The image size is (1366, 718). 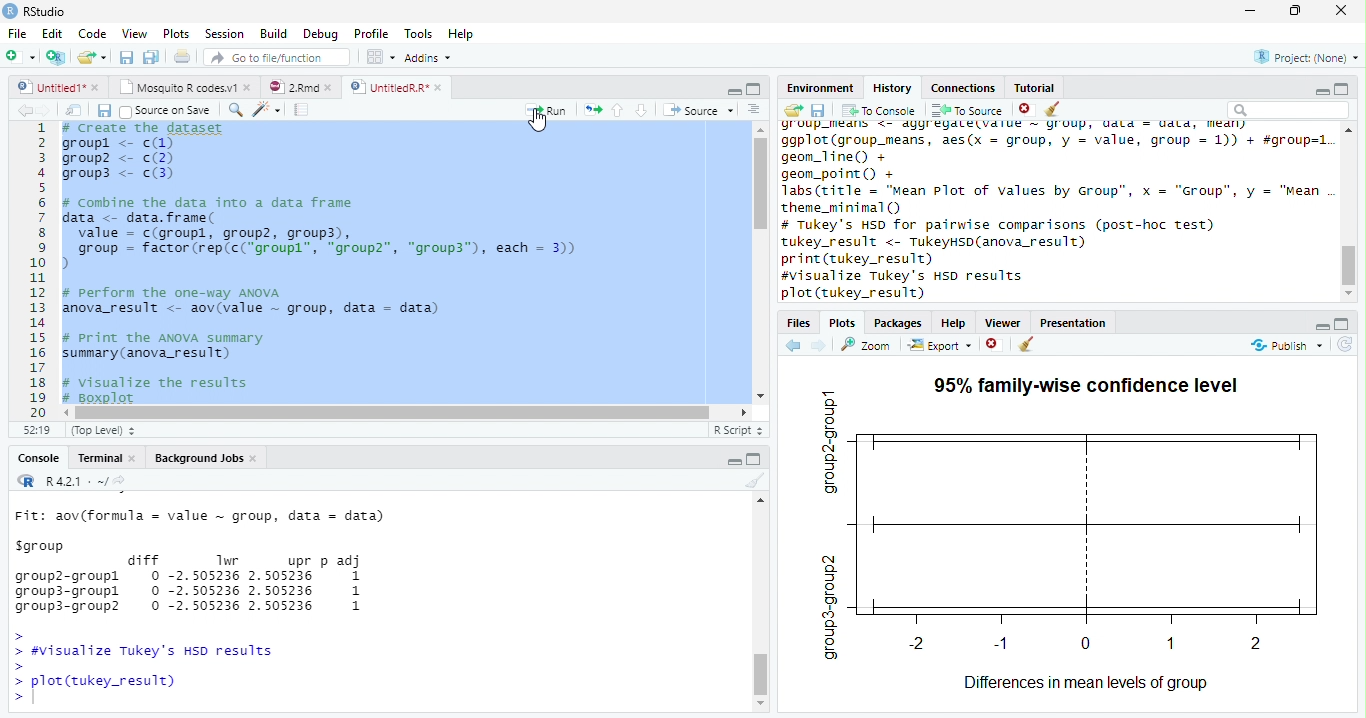 What do you see at coordinates (184, 87) in the screenshot?
I see `Mosquito R codes` at bounding box center [184, 87].